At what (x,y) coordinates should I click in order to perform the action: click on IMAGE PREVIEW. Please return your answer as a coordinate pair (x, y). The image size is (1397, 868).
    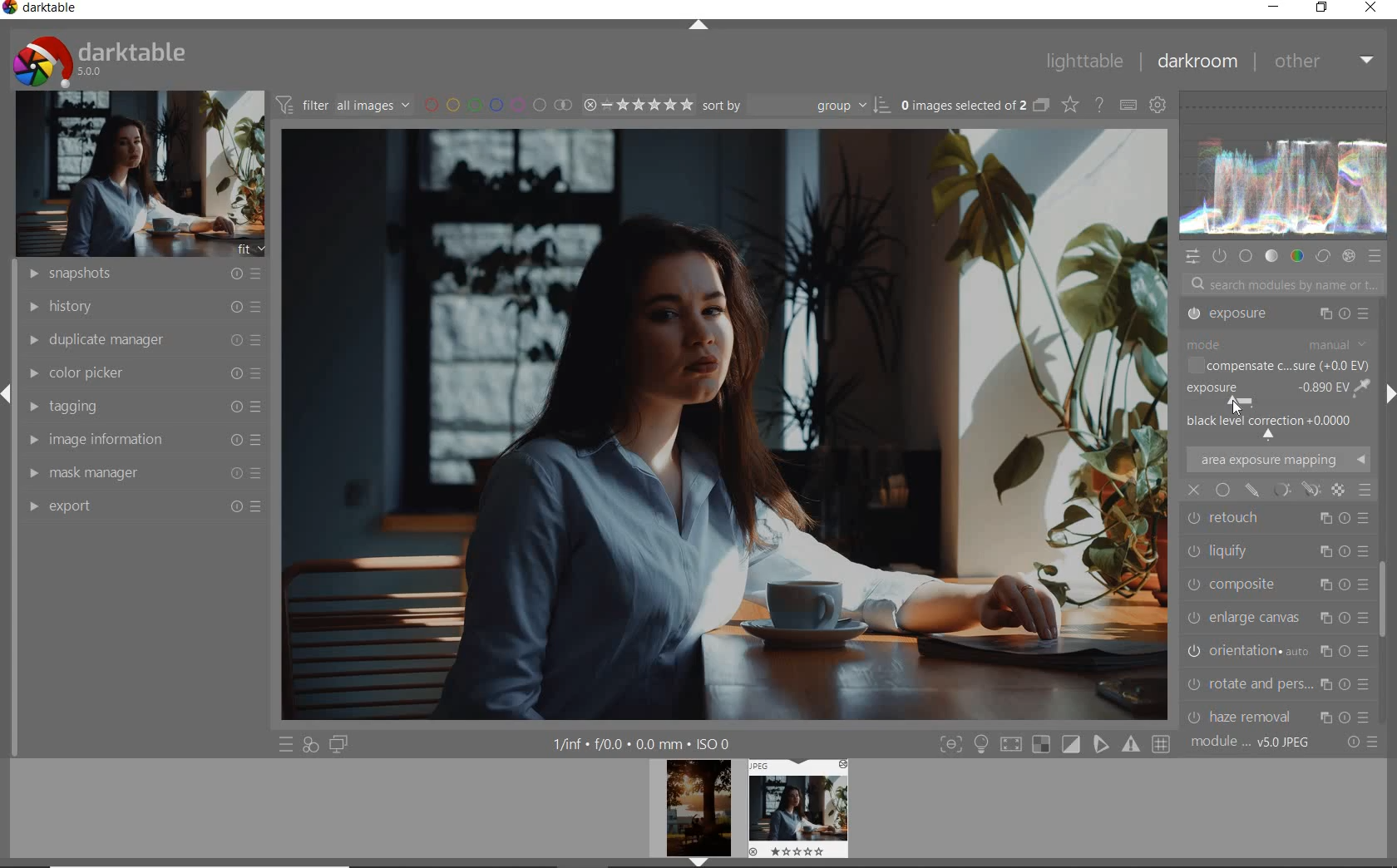
    Looking at the image, I should click on (797, 808).